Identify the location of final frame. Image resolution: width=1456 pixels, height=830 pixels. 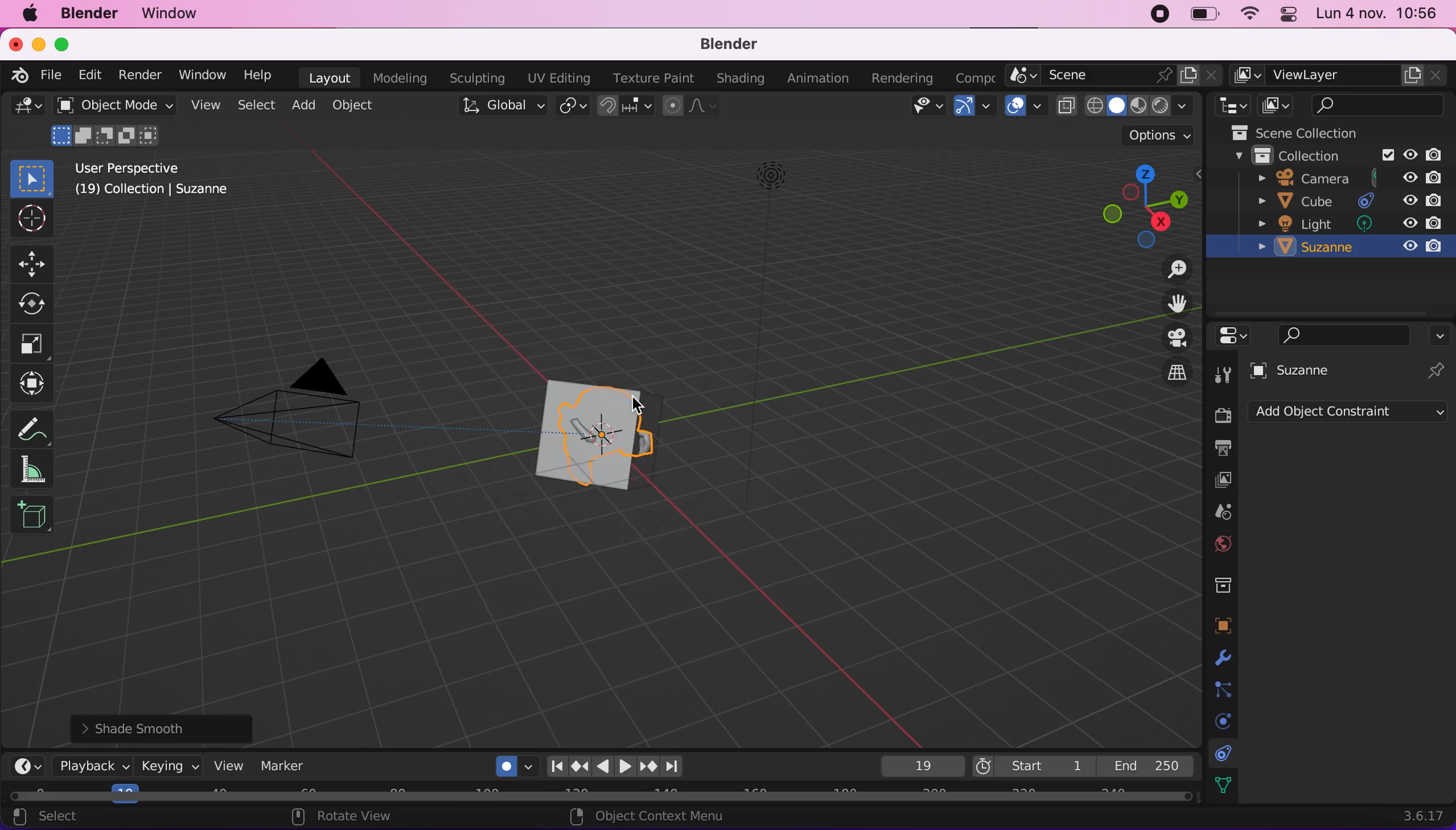
(1148, 763).